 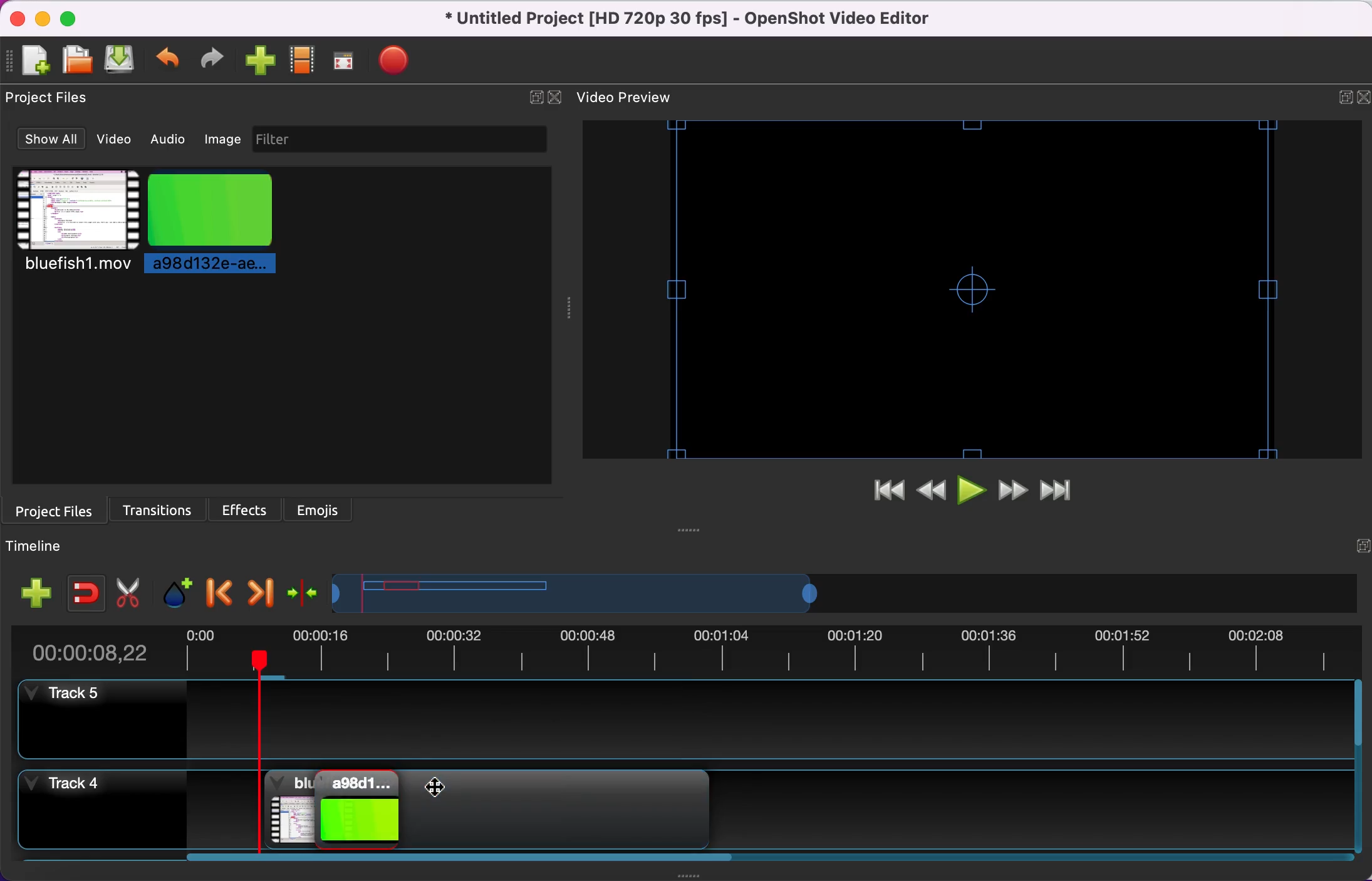 What do you see at coordinates (16, 18) in the screenshot?
I see `` at bounding box center [16, 18].